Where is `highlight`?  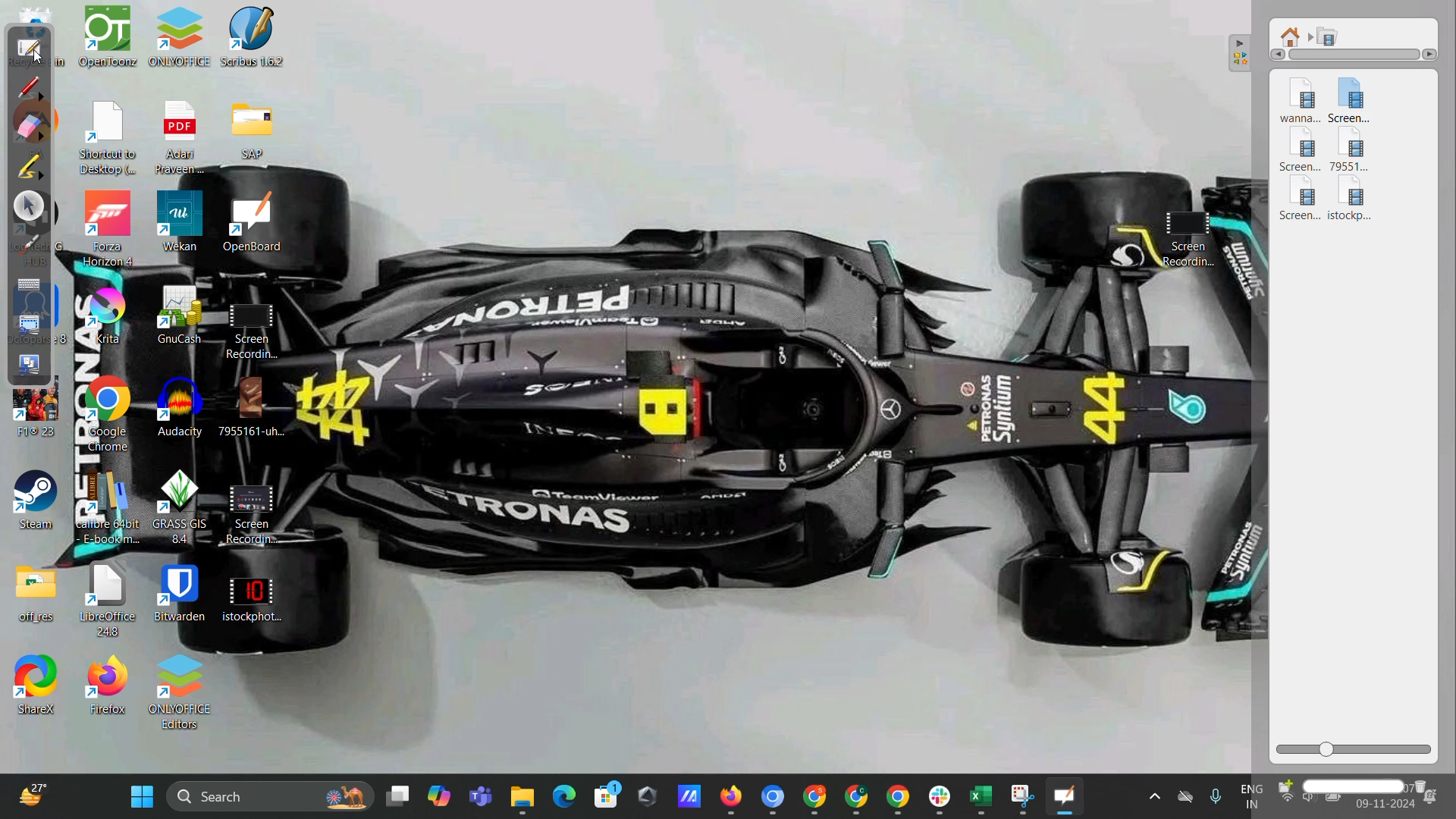
highlight is located at coordinates (30, 167).